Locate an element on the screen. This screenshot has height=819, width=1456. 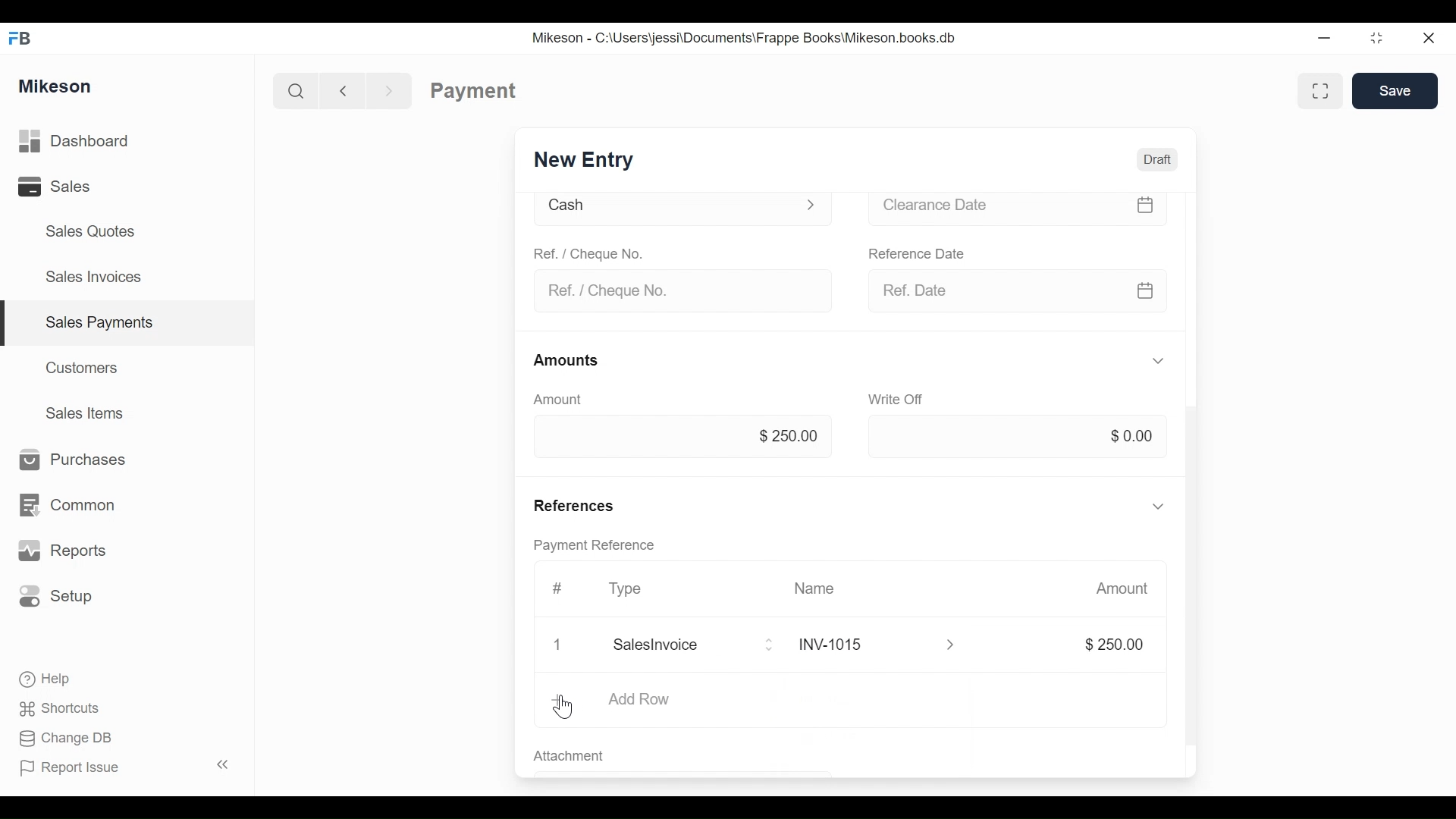
Full width toggle is located at coordinates (1318, 92).